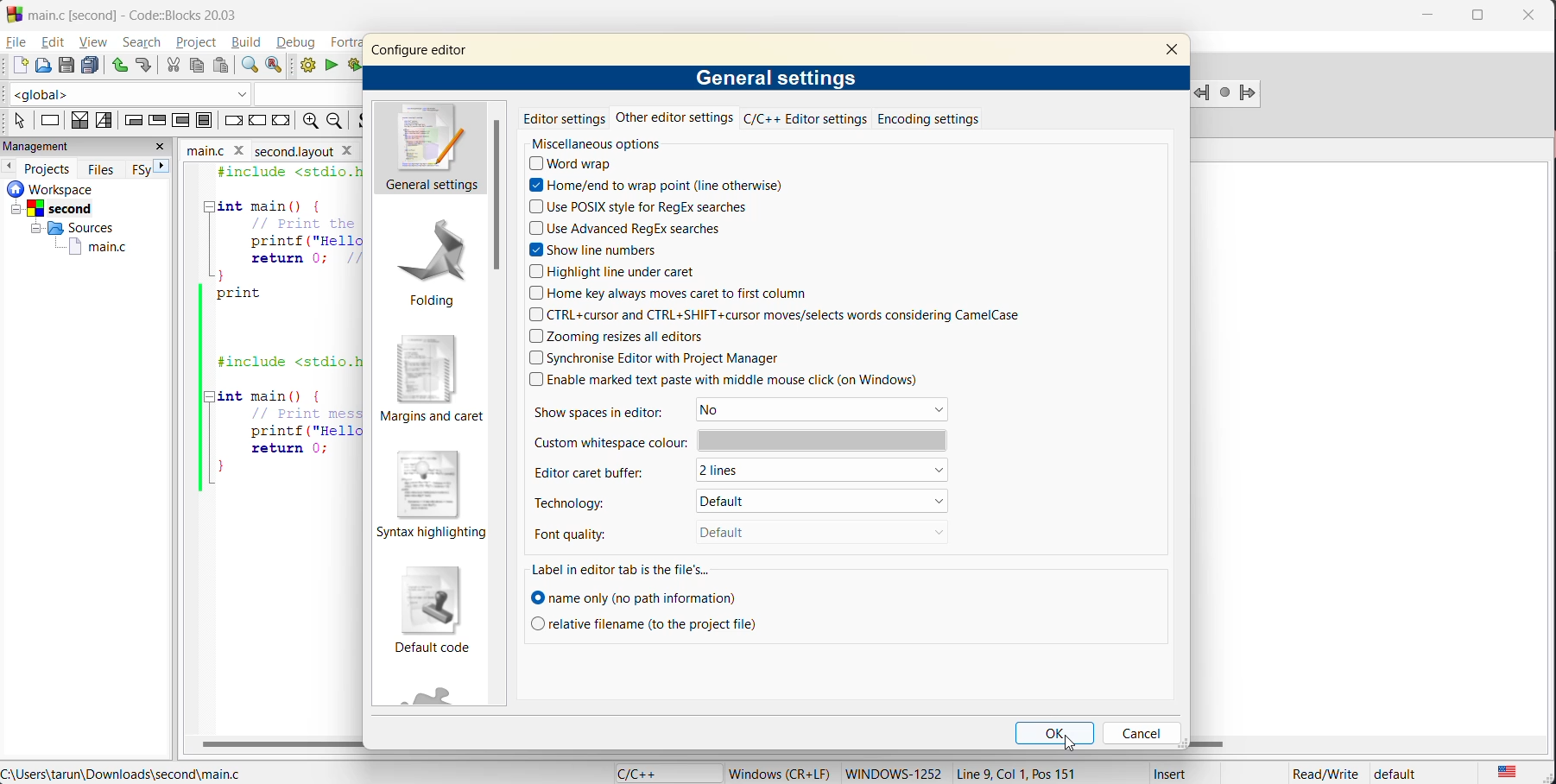 Image resolution: width=1556 pixels, height=784 pixels. Describe the element at coordinates (56, 41) in the screenshot. I see `edit` at that location.